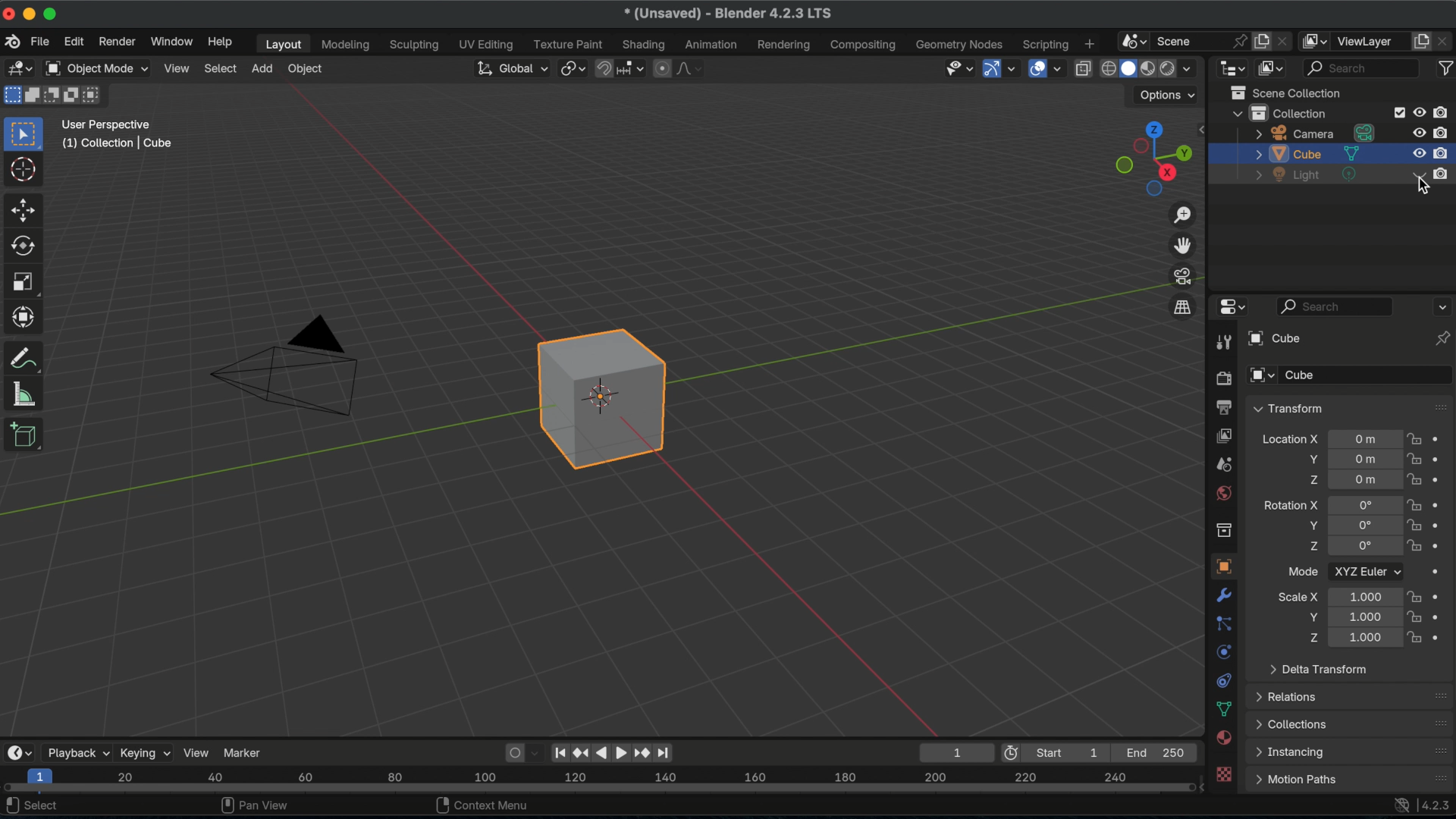 The height and width of the screenshot is (819, 1456). I want to click on sculpting, so click(416, 44).